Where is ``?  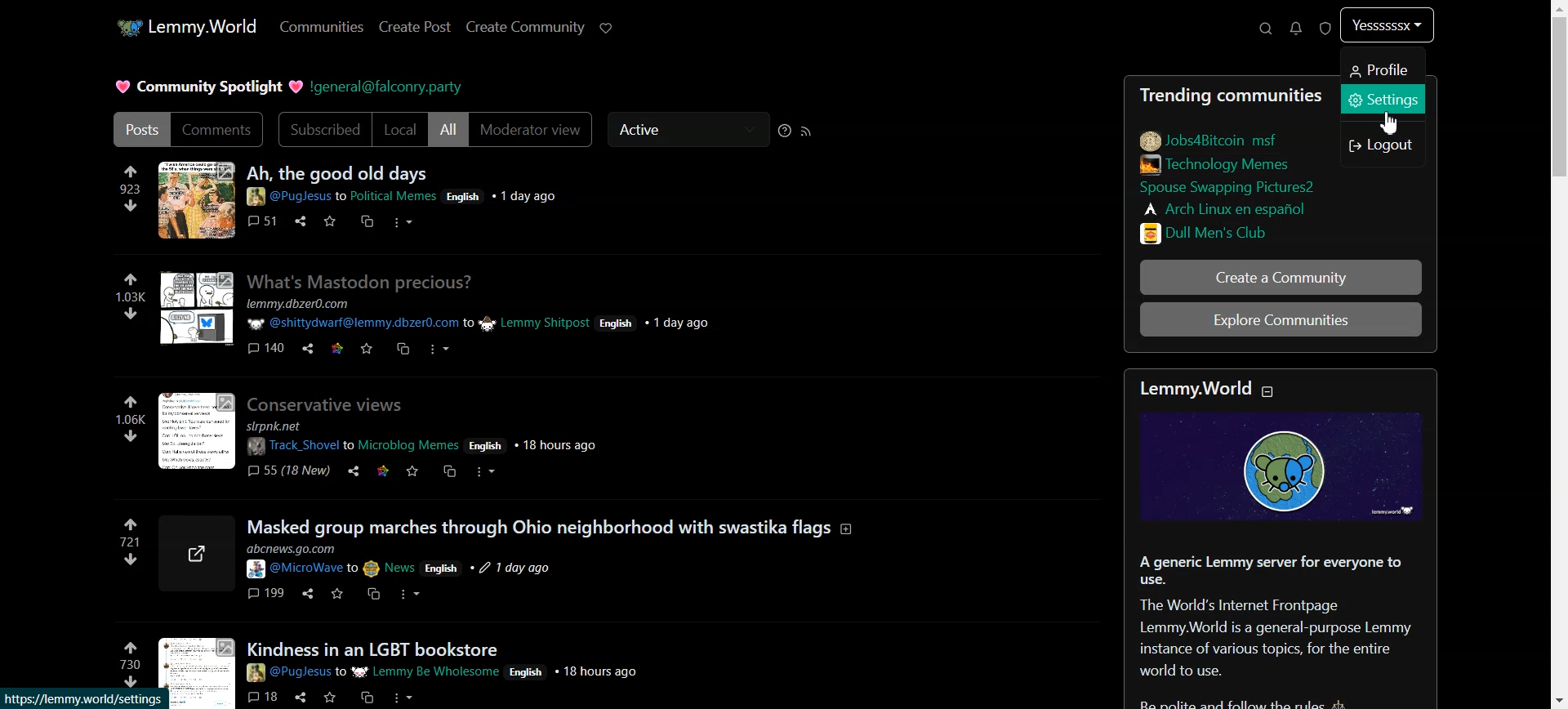
 is located at coordinates (556, 528).